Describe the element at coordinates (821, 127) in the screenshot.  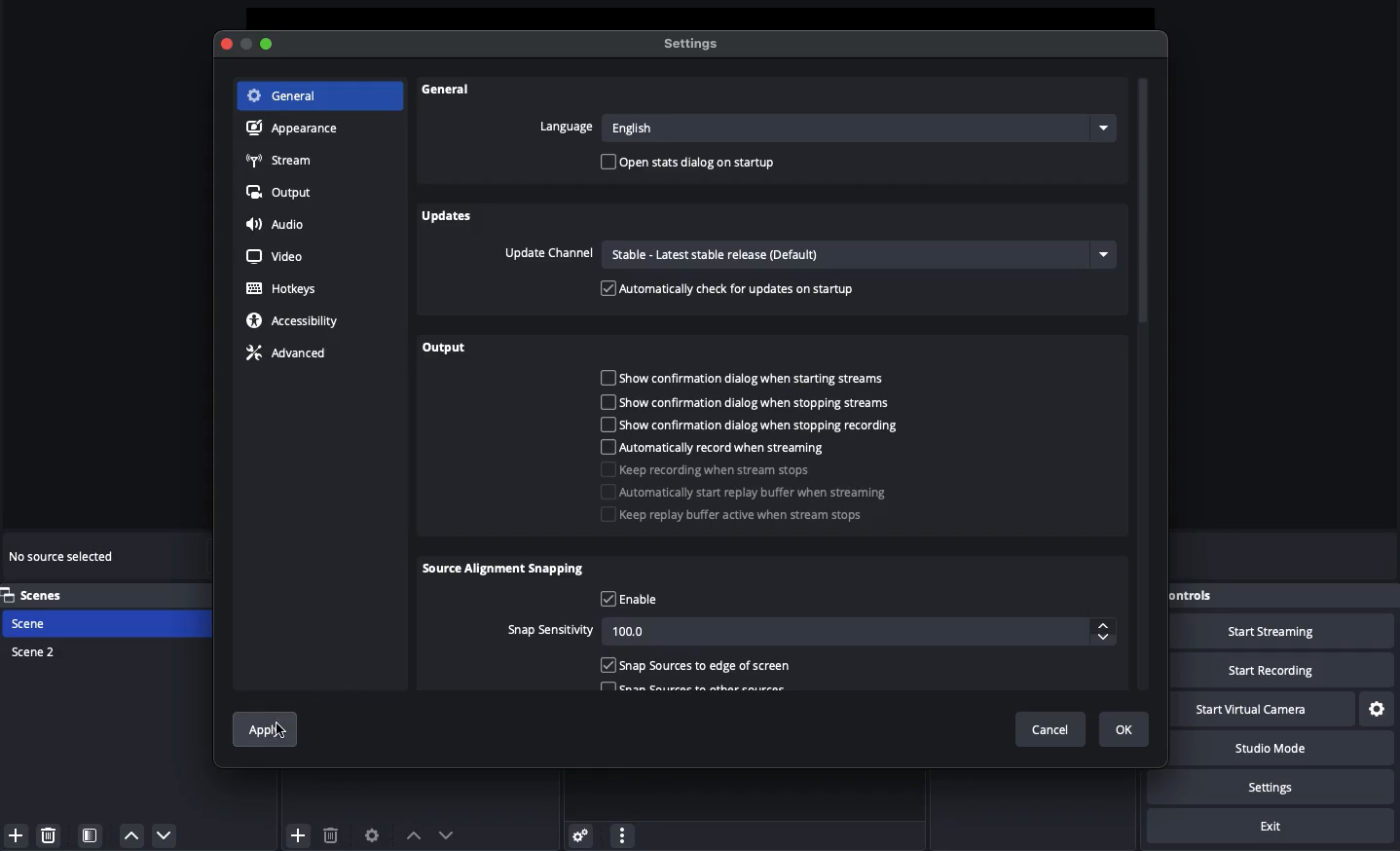
I see `Language` at that location.